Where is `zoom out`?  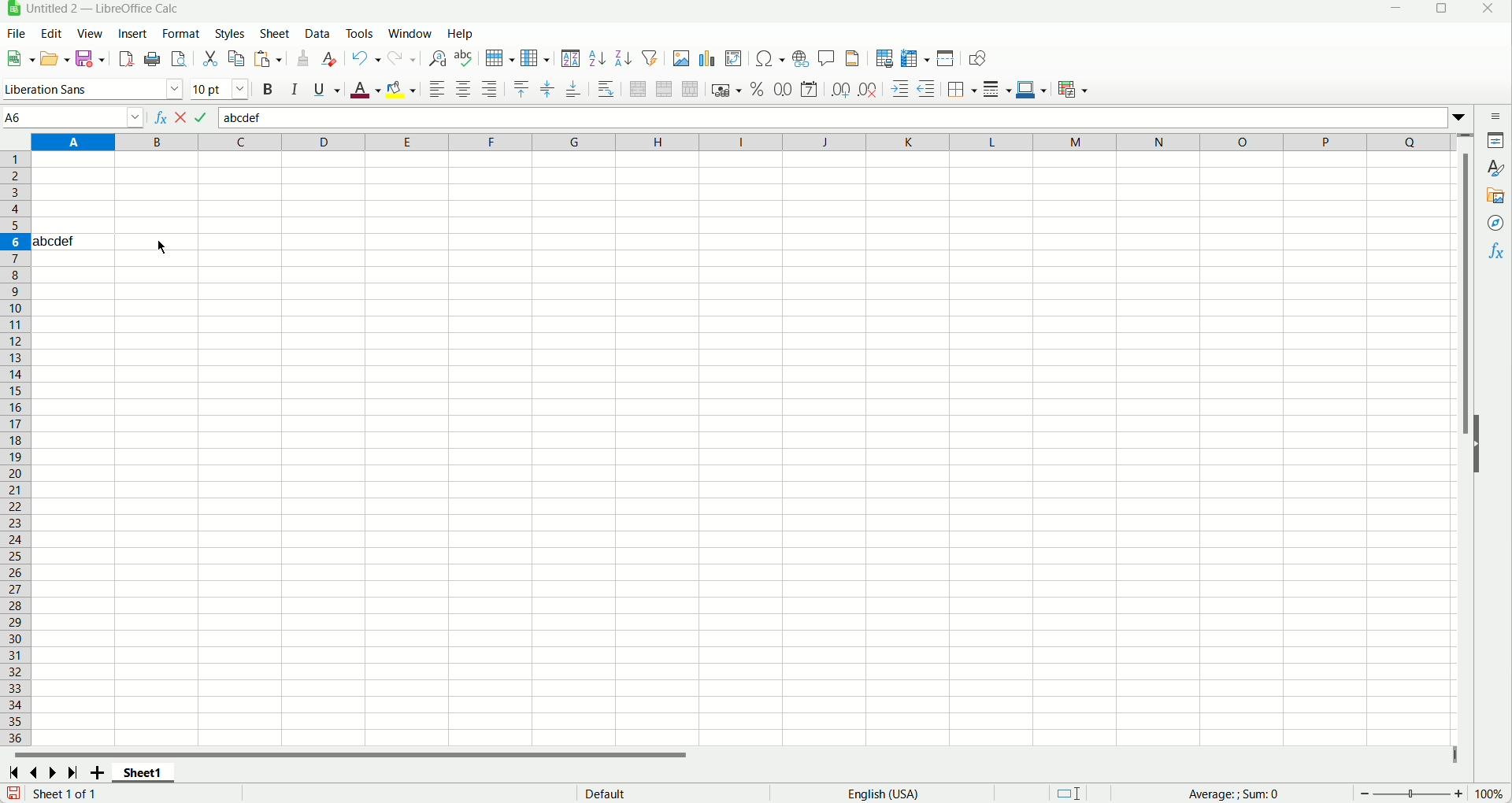
zoom out is located at coordinates (1366, 794).